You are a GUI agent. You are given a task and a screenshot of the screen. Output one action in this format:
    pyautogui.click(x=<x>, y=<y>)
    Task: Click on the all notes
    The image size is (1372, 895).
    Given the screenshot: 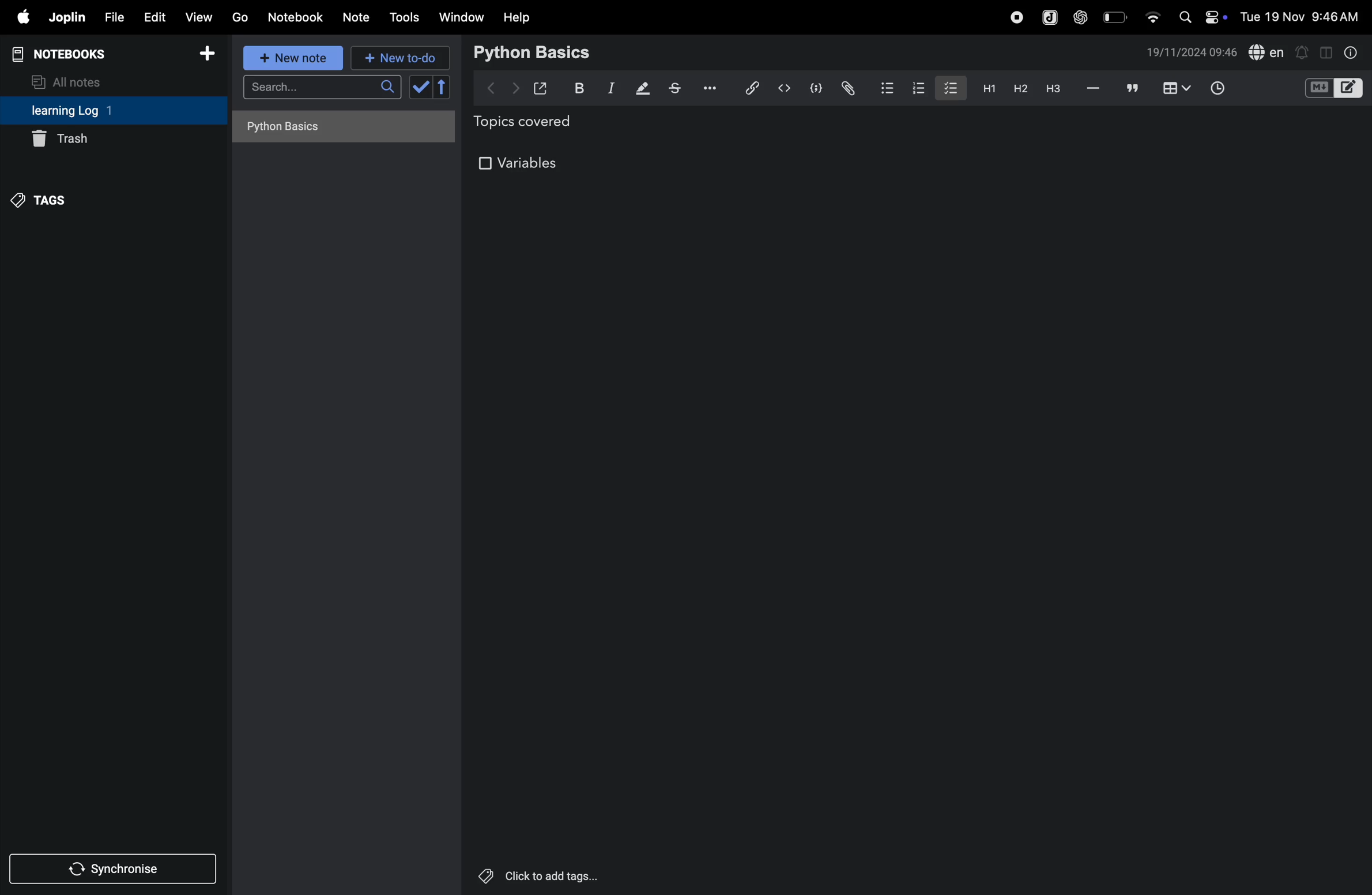 What is the action you would take?
    pyautogui.click(x=73, y=81)
    